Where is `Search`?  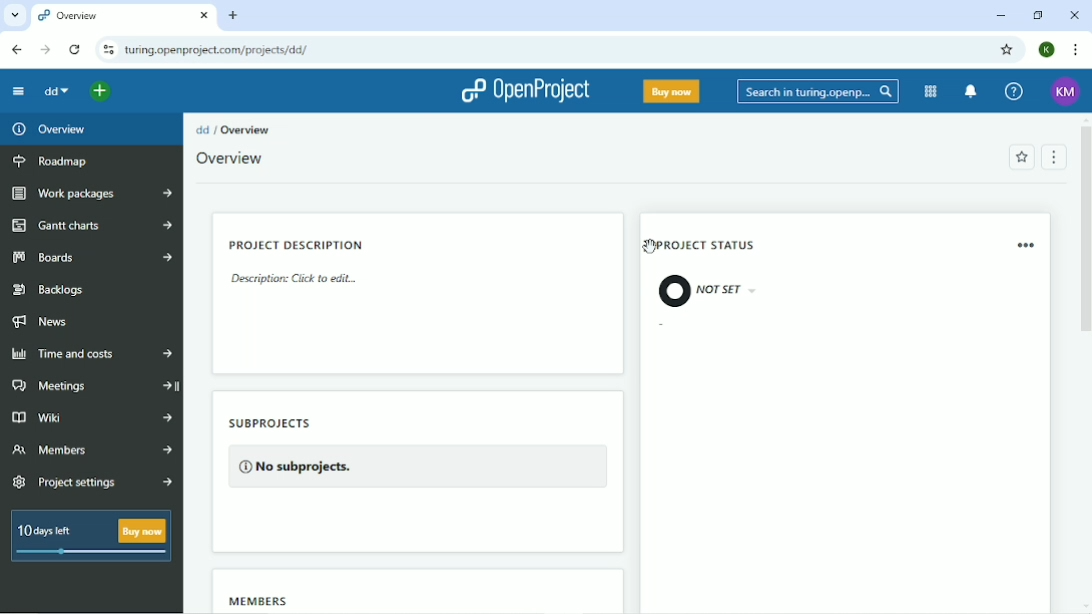 Search is located at coordinates (818, 91).